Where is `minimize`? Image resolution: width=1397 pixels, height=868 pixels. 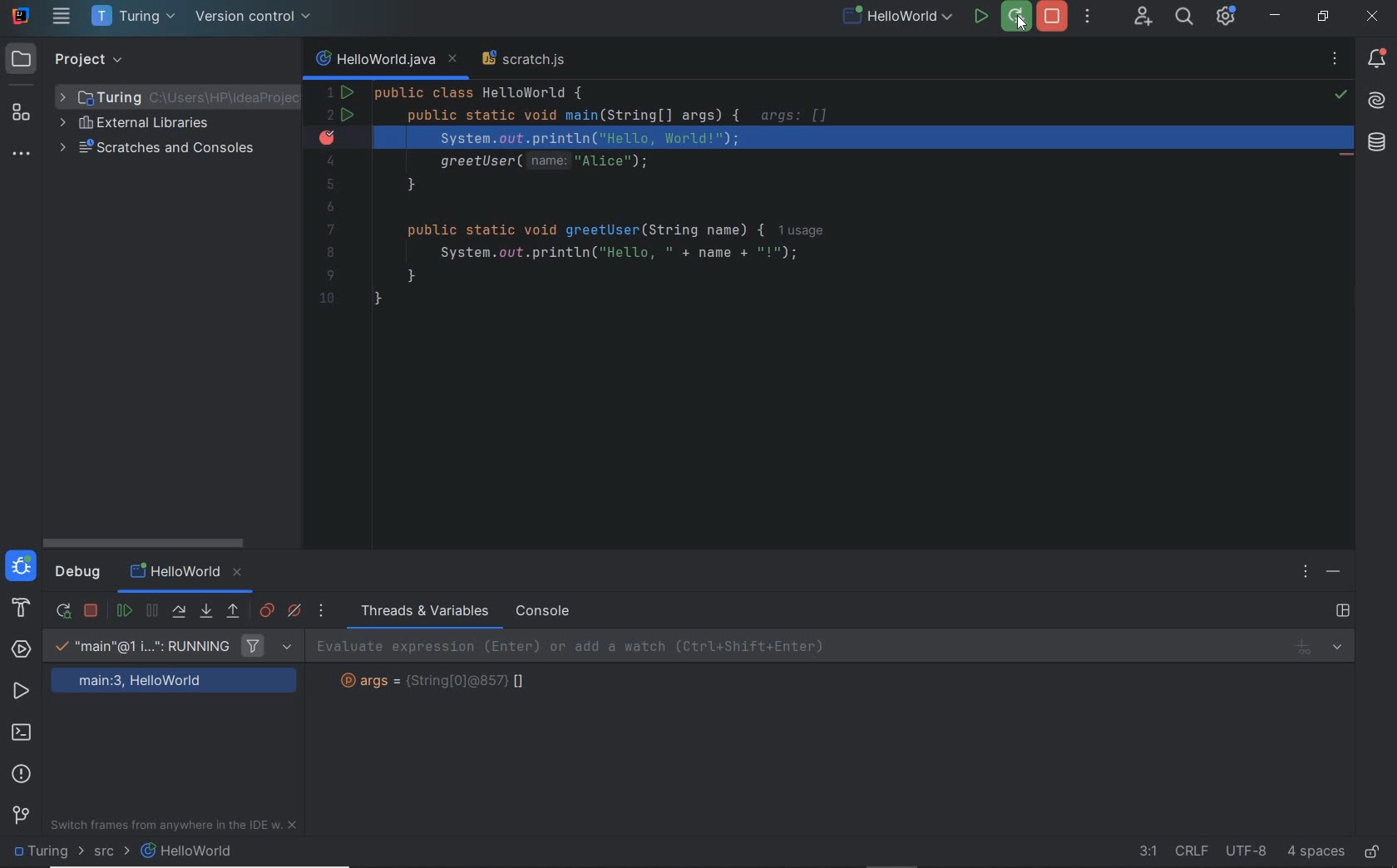
minimize is located at coordinates (1276, 16).